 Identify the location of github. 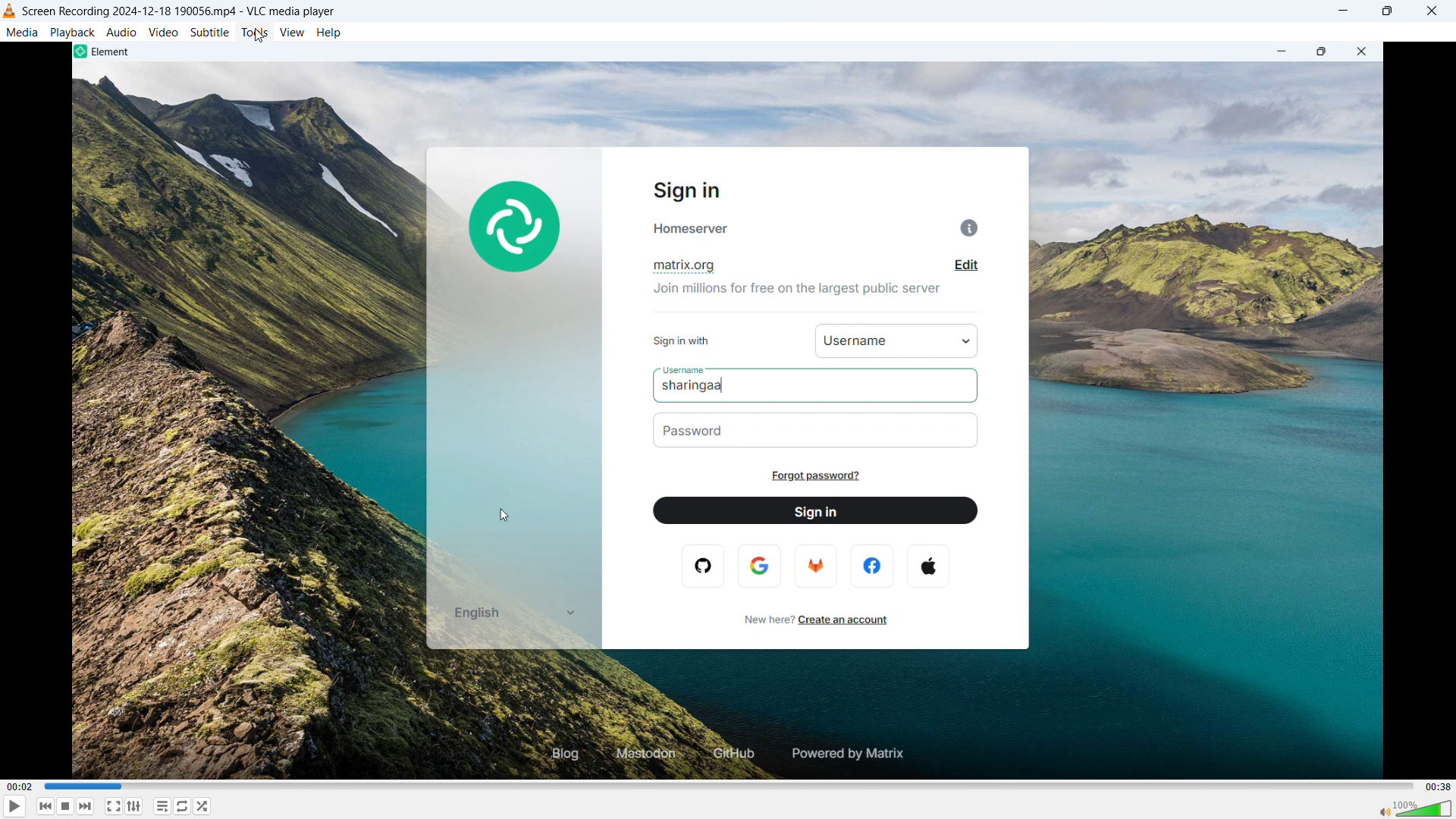
(726, 752).